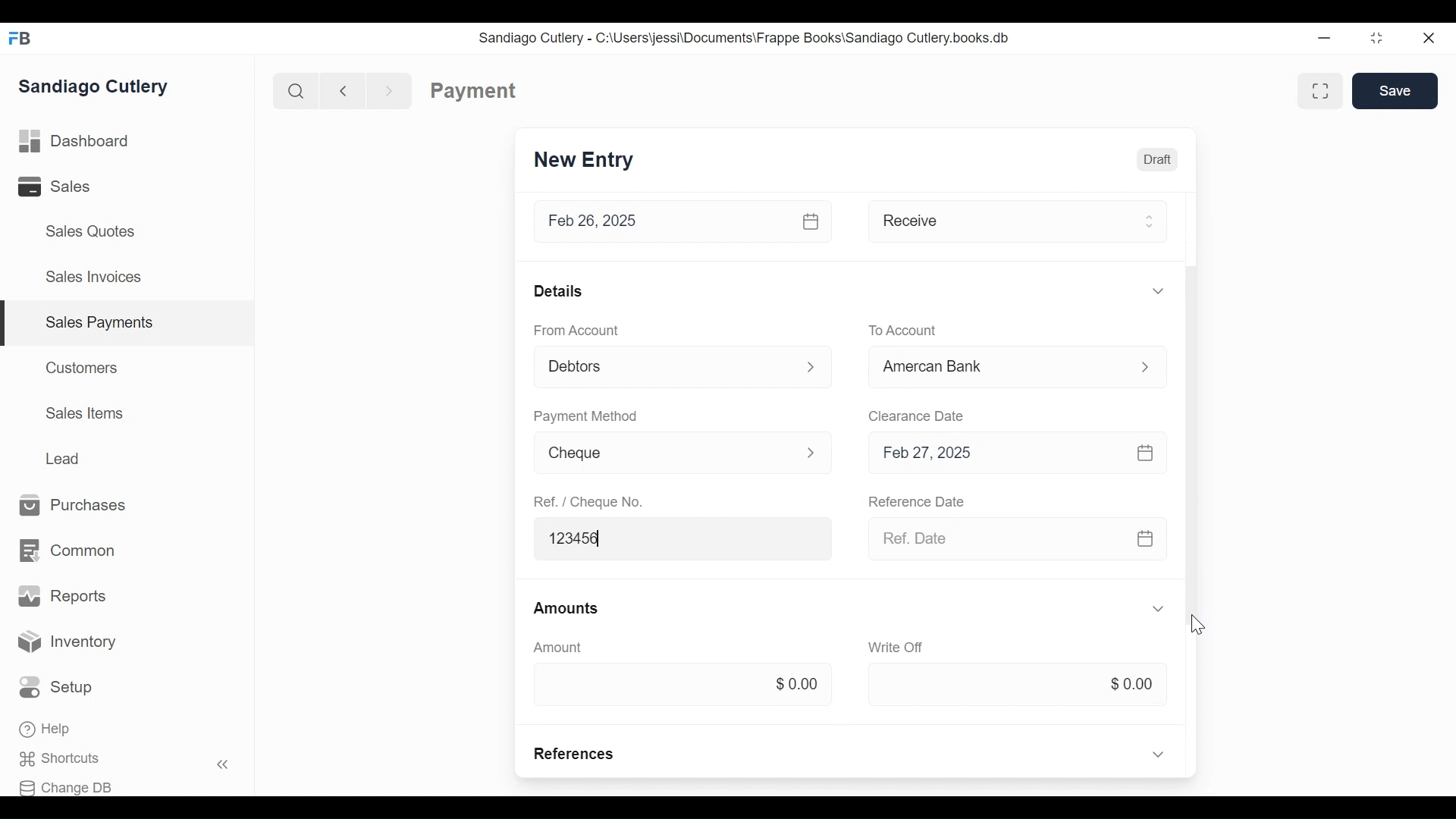 Image resolution: width=1456 pixels, height=819 pixels. I want to click on Calendar, so click(813, 221).